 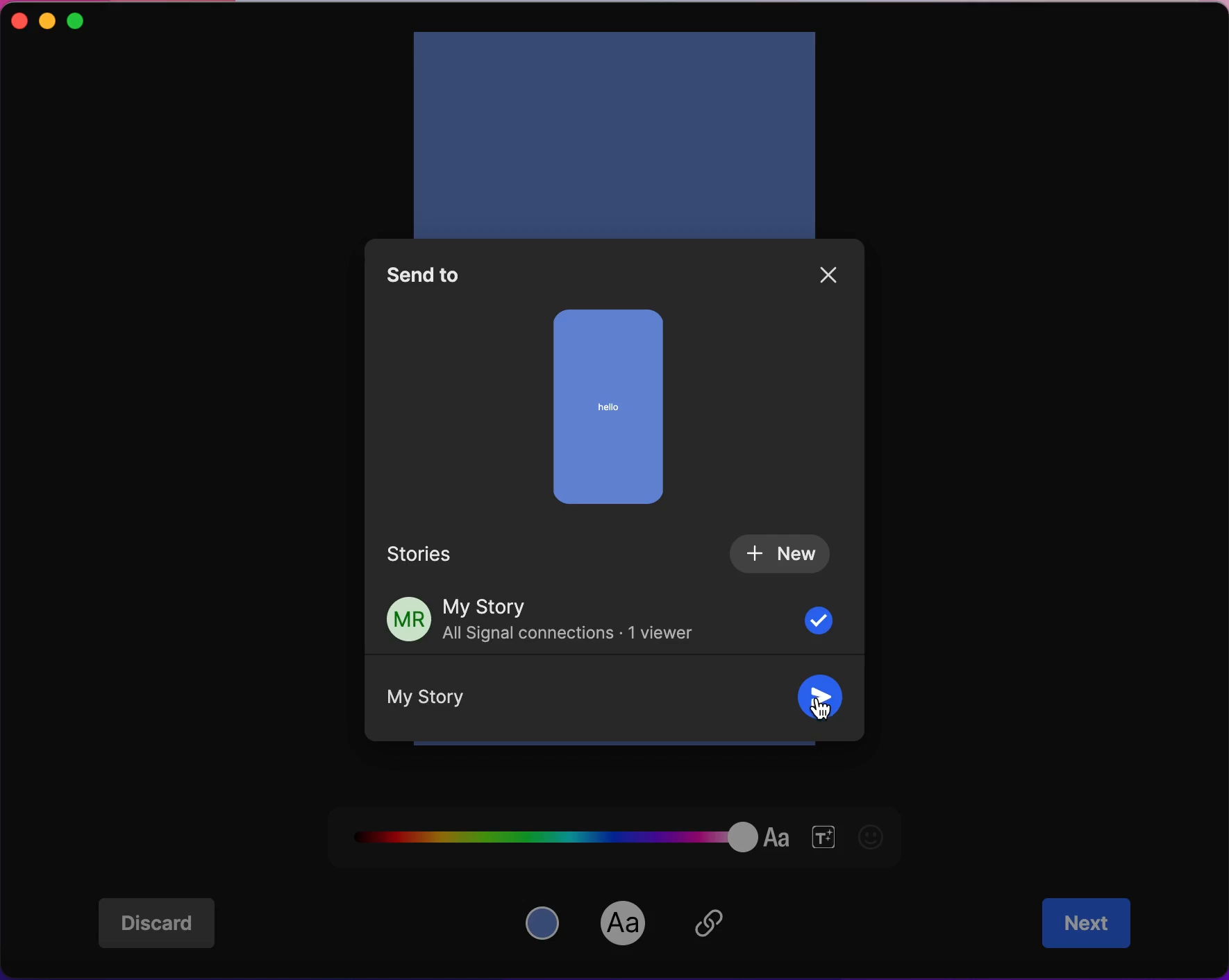 What do you see at coordinates (877, 836) in the screenshot?
I see `emoji` at bounding box center [877, 836].